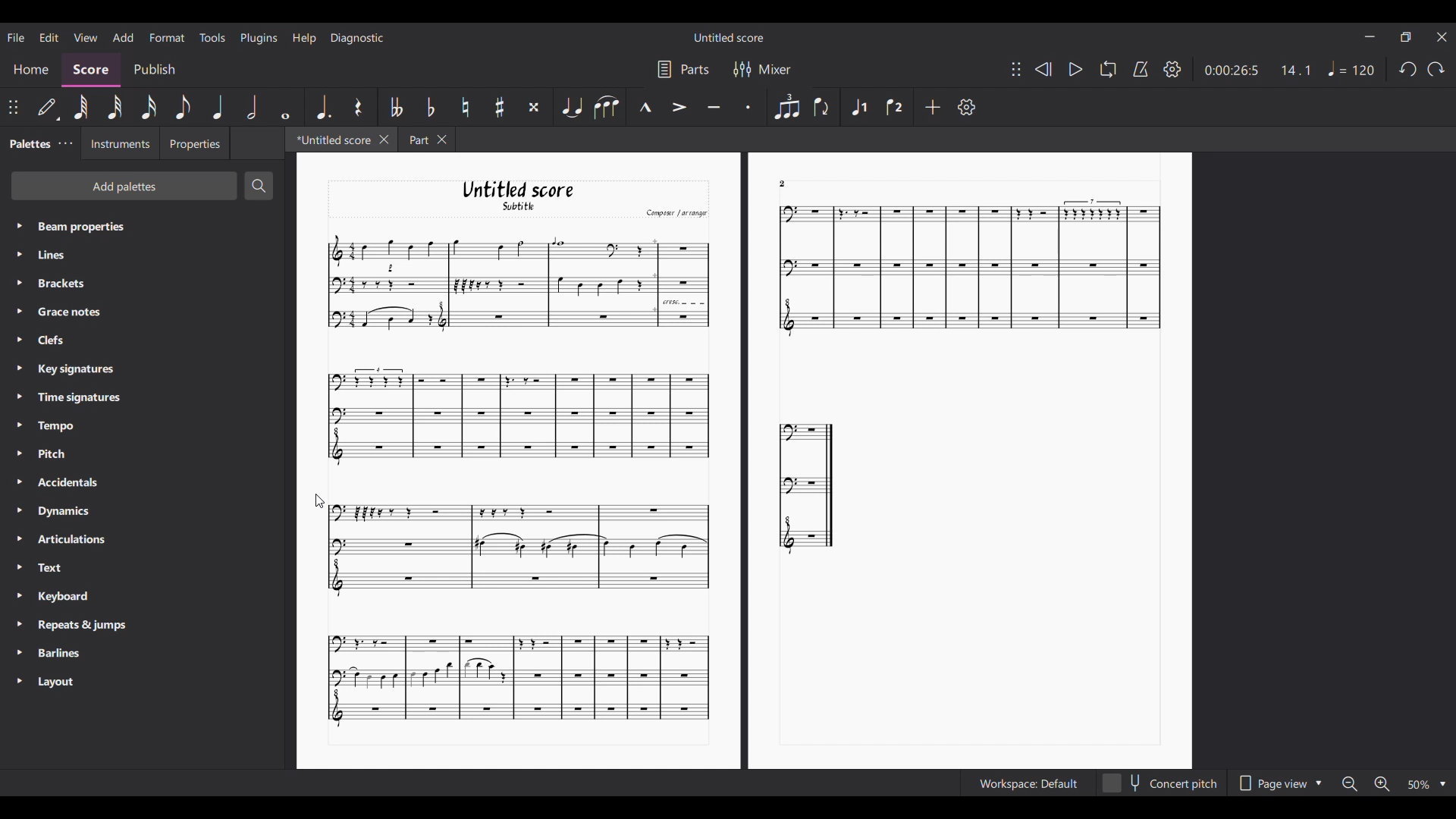  What do you see at coordinates (1405, 37) in the screenshot?
I see `Show in smaller tab` at bounding box center [1405, 37].